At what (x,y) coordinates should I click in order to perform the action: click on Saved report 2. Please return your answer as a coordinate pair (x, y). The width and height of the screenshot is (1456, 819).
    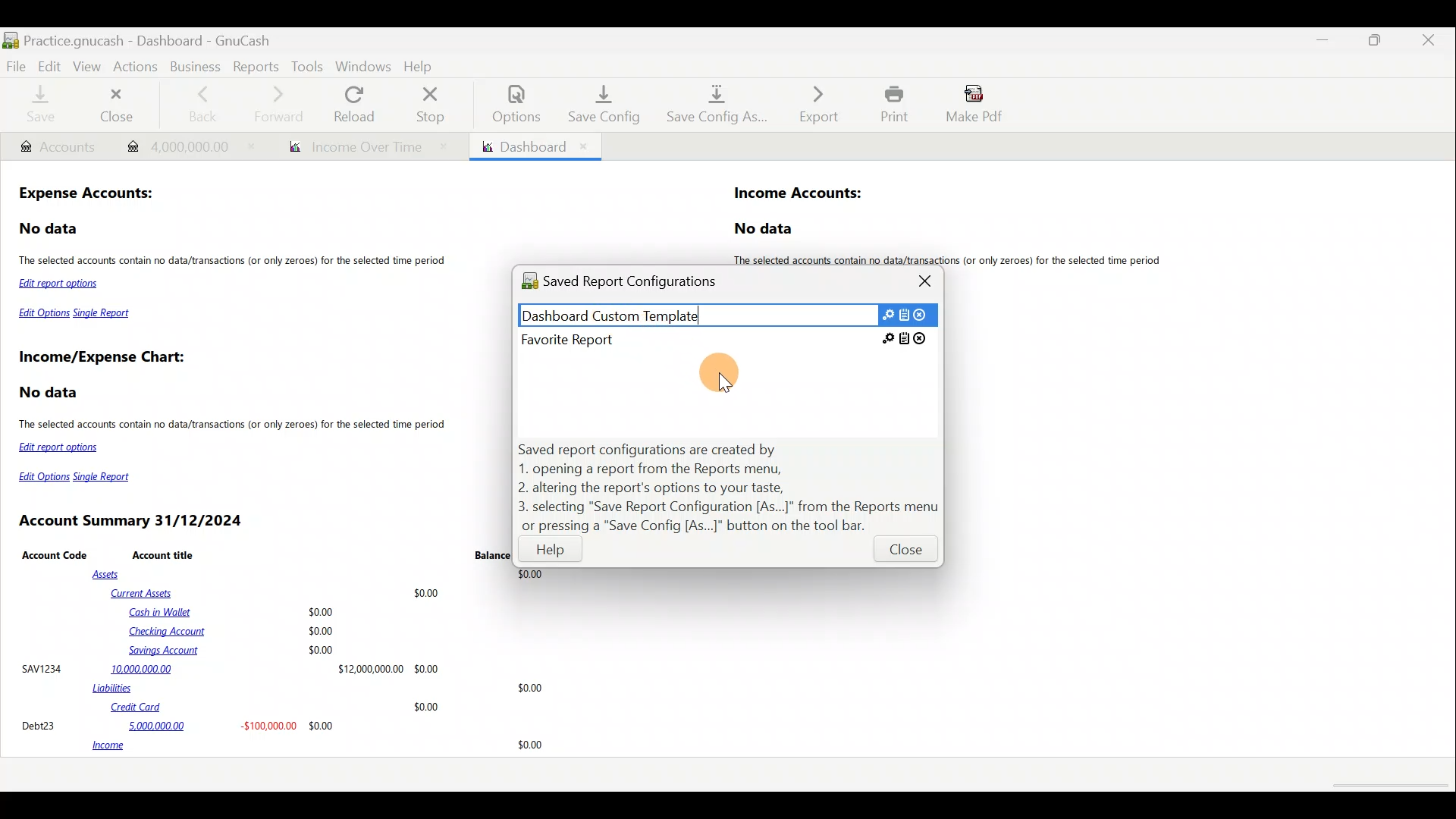
    Looking at the image, I should click on (725, 339).